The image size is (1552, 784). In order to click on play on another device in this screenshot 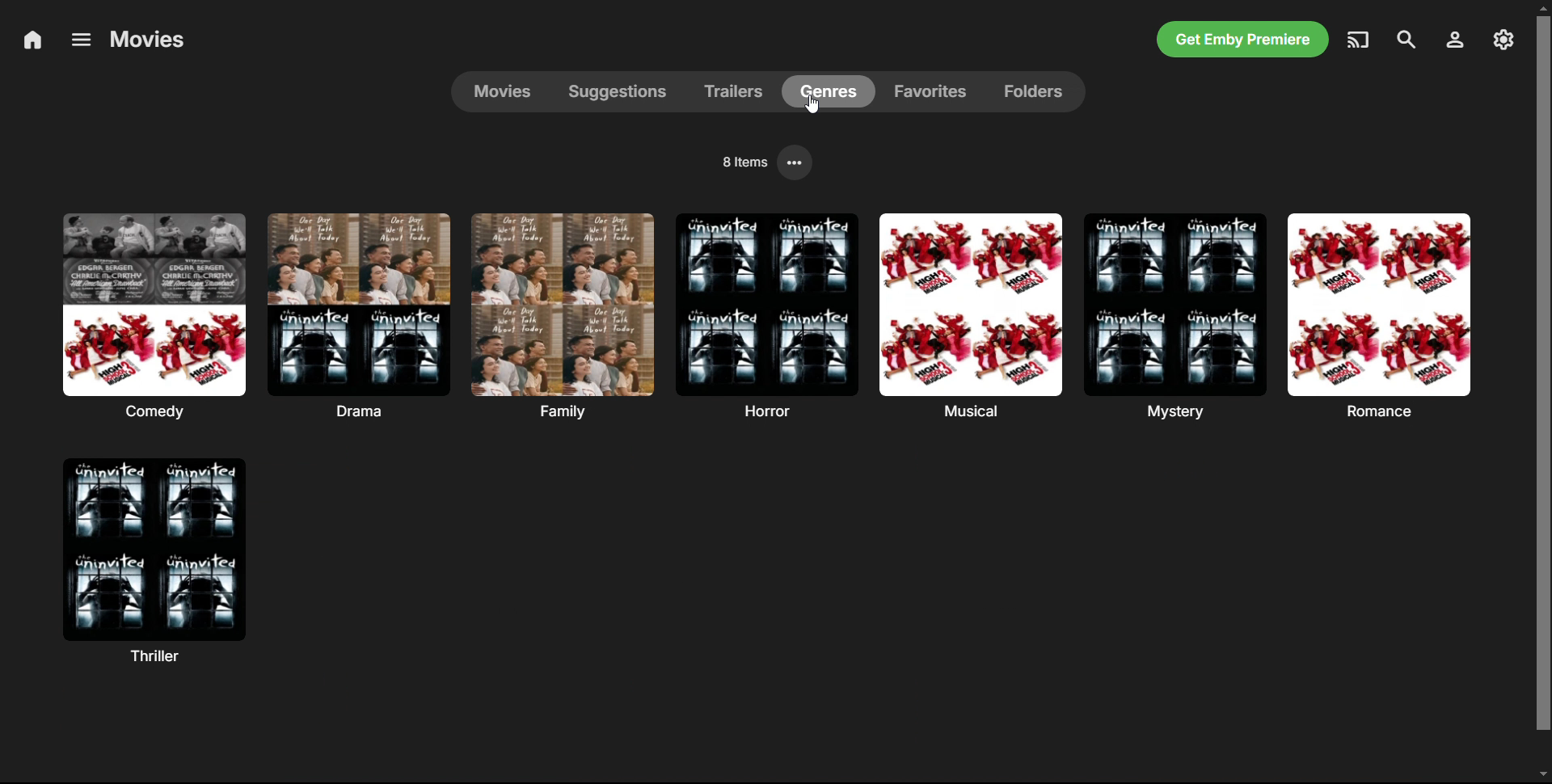, I will do `click(1360, 39)`.